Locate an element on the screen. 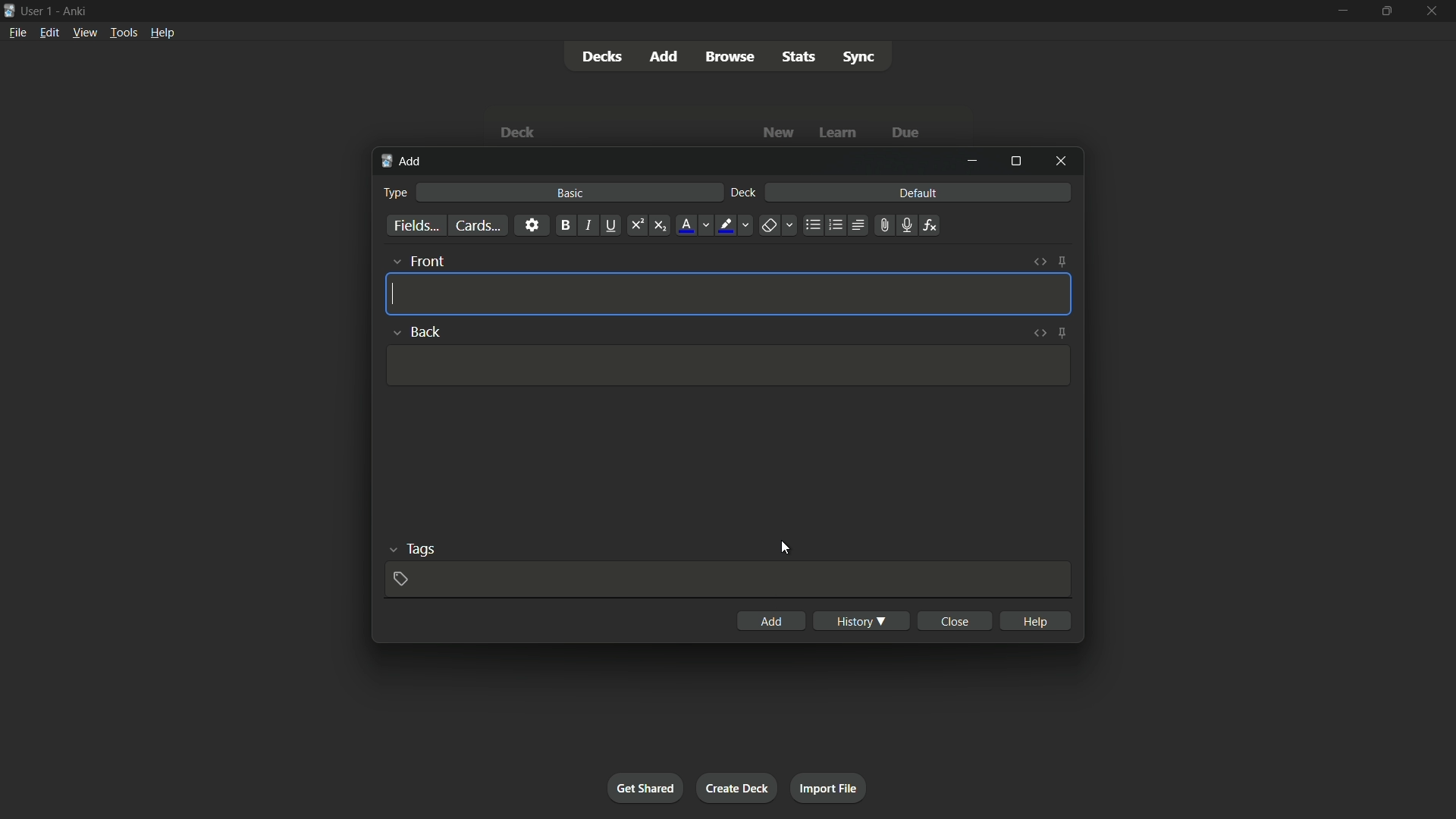  minimize is located at coordinates (972, 161).